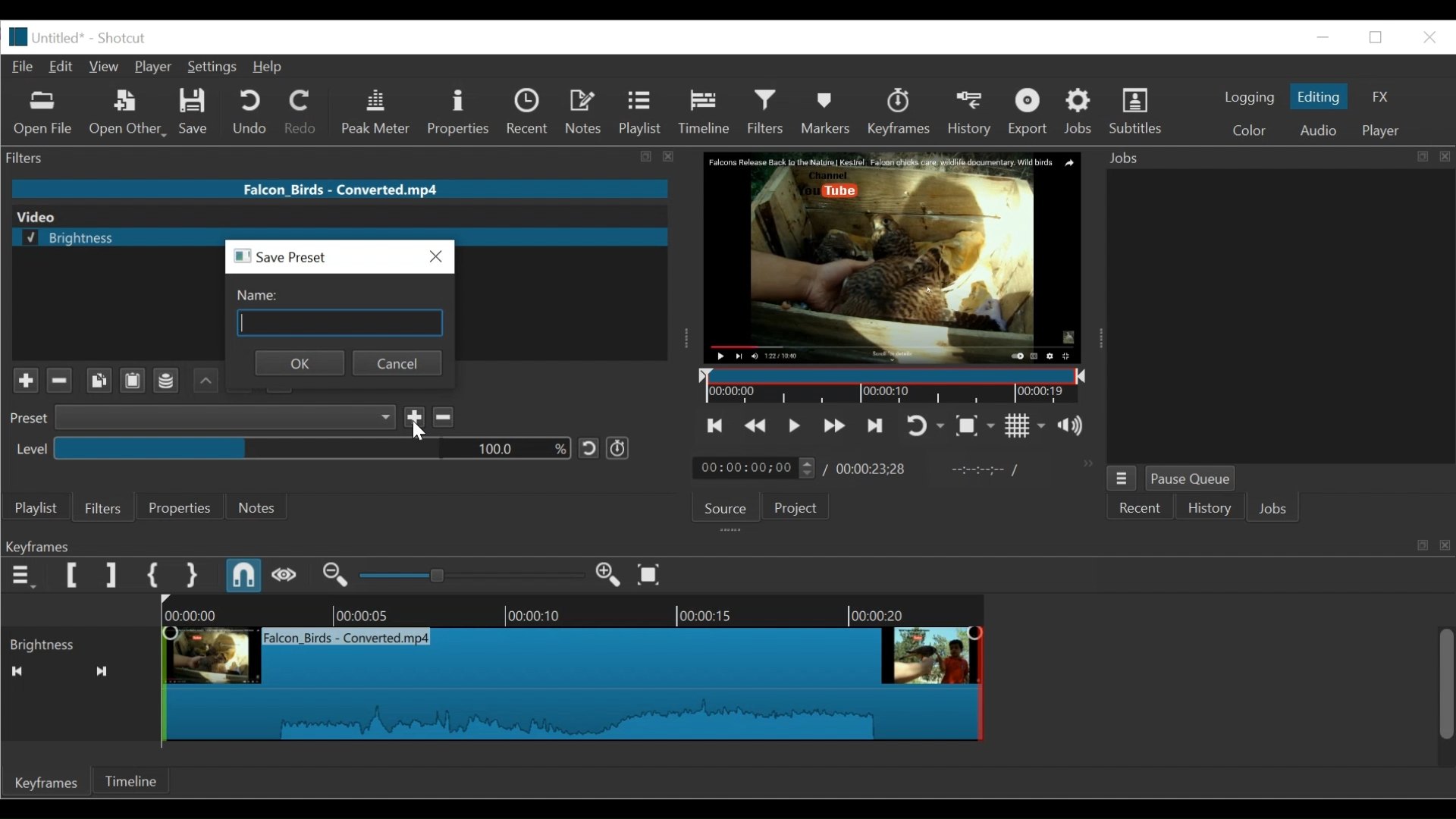 The height and width of the screenshot is (819, 1456). Describe the element at coordinates (166, 381) in the screenshot. I see `Channel` at that location.